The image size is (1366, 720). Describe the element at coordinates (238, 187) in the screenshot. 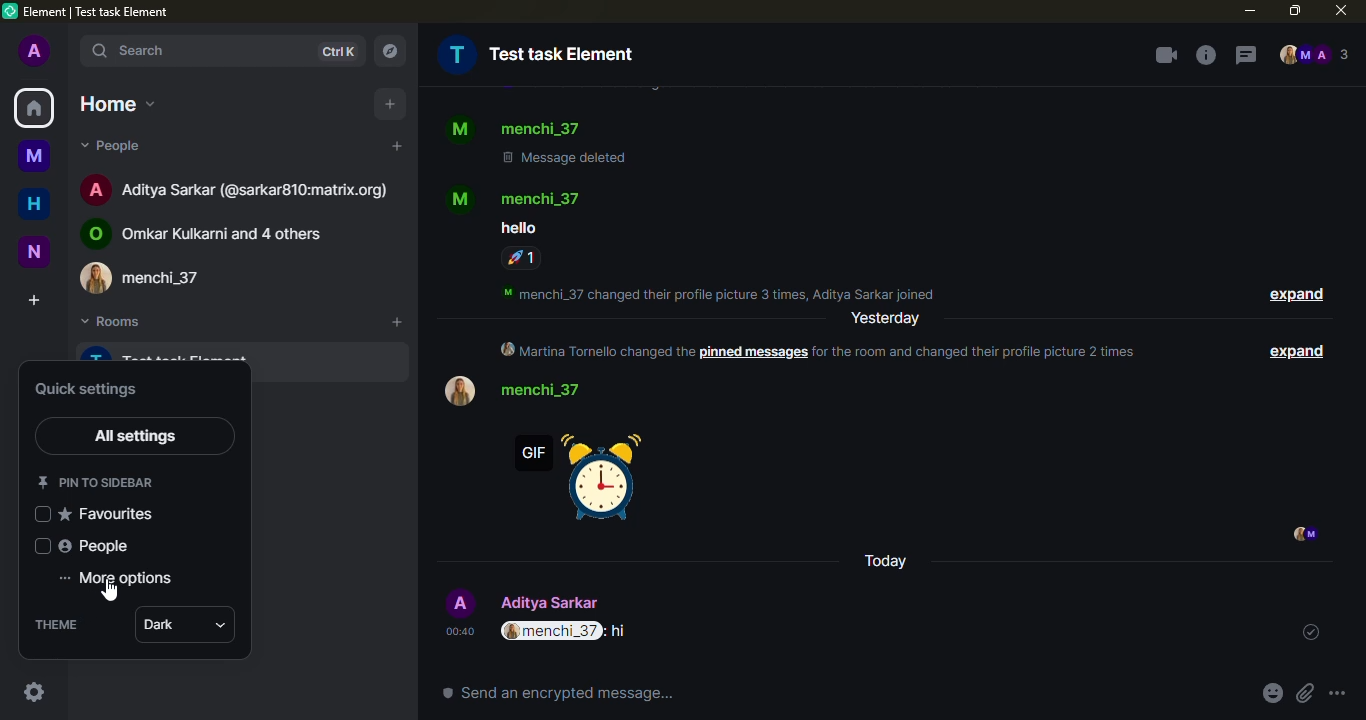

I see `contact` at that location.